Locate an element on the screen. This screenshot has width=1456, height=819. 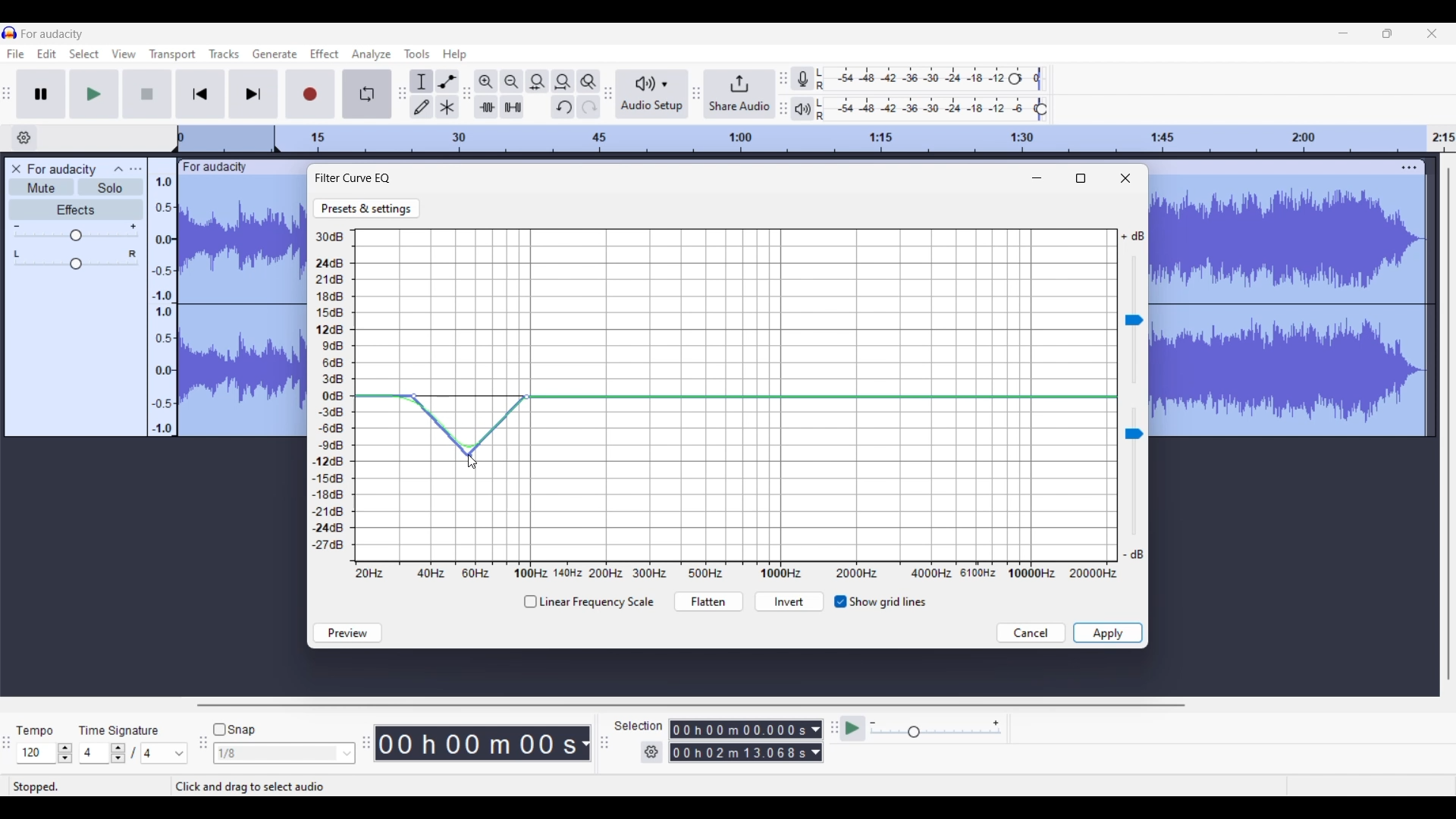
Chnage sound is located at coordinates (1134, 472).